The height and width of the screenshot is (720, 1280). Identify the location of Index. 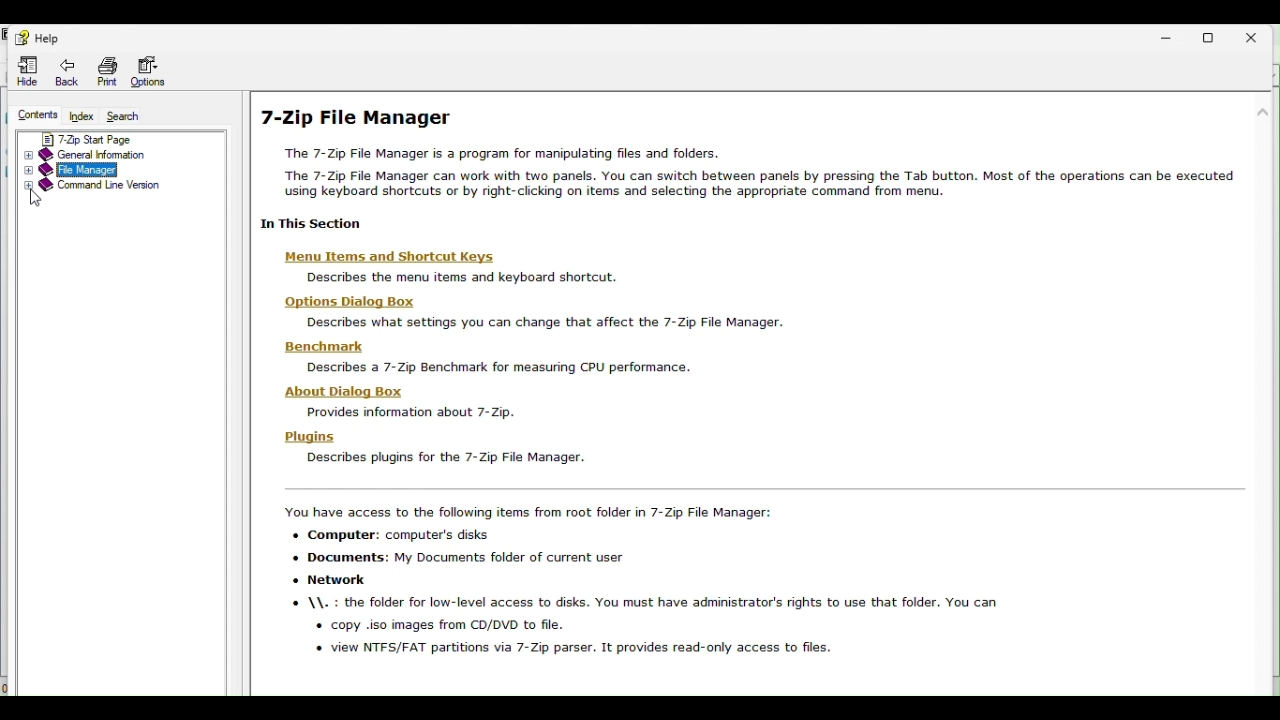
(80, 117).